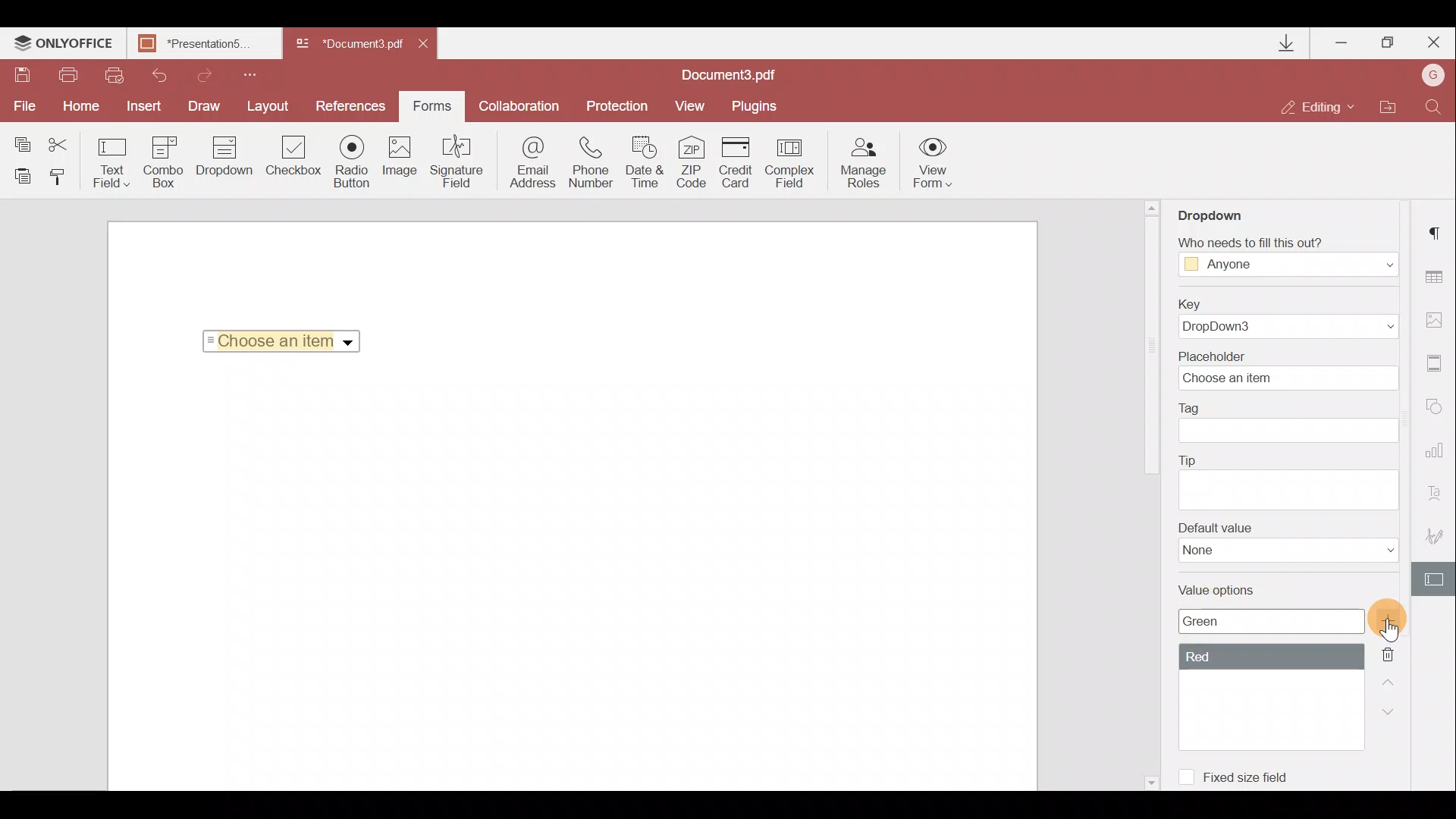 This screenshot has height=819, width=1456. What do you see at coordinates (1319, 108) in the screenshot?
I see `Editing mode` at bounding box center [1319, 108].